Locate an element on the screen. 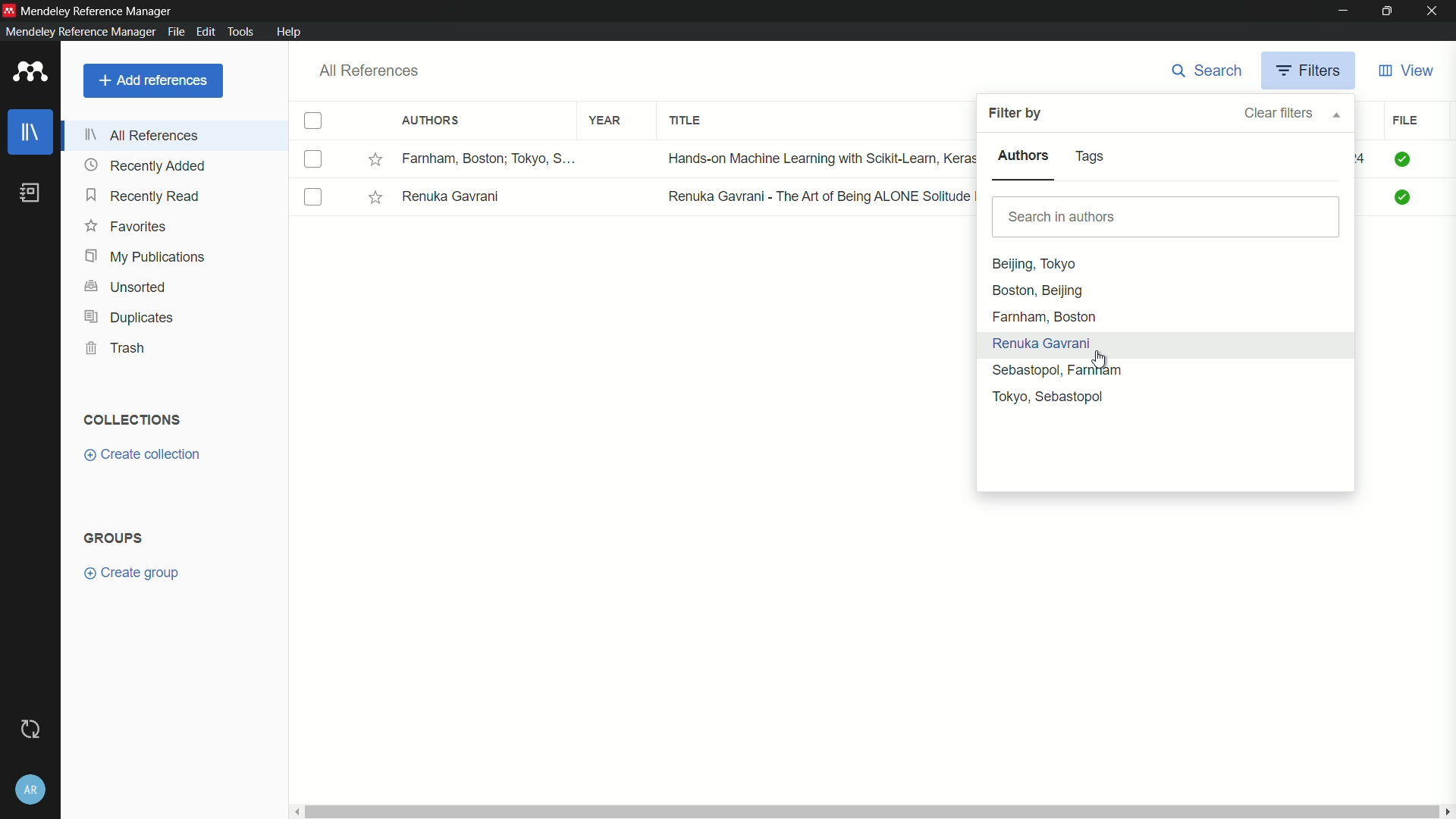 This screenshot has width=1456, height=819. Renuka Gavrani is located at coordinates (1046, 343).